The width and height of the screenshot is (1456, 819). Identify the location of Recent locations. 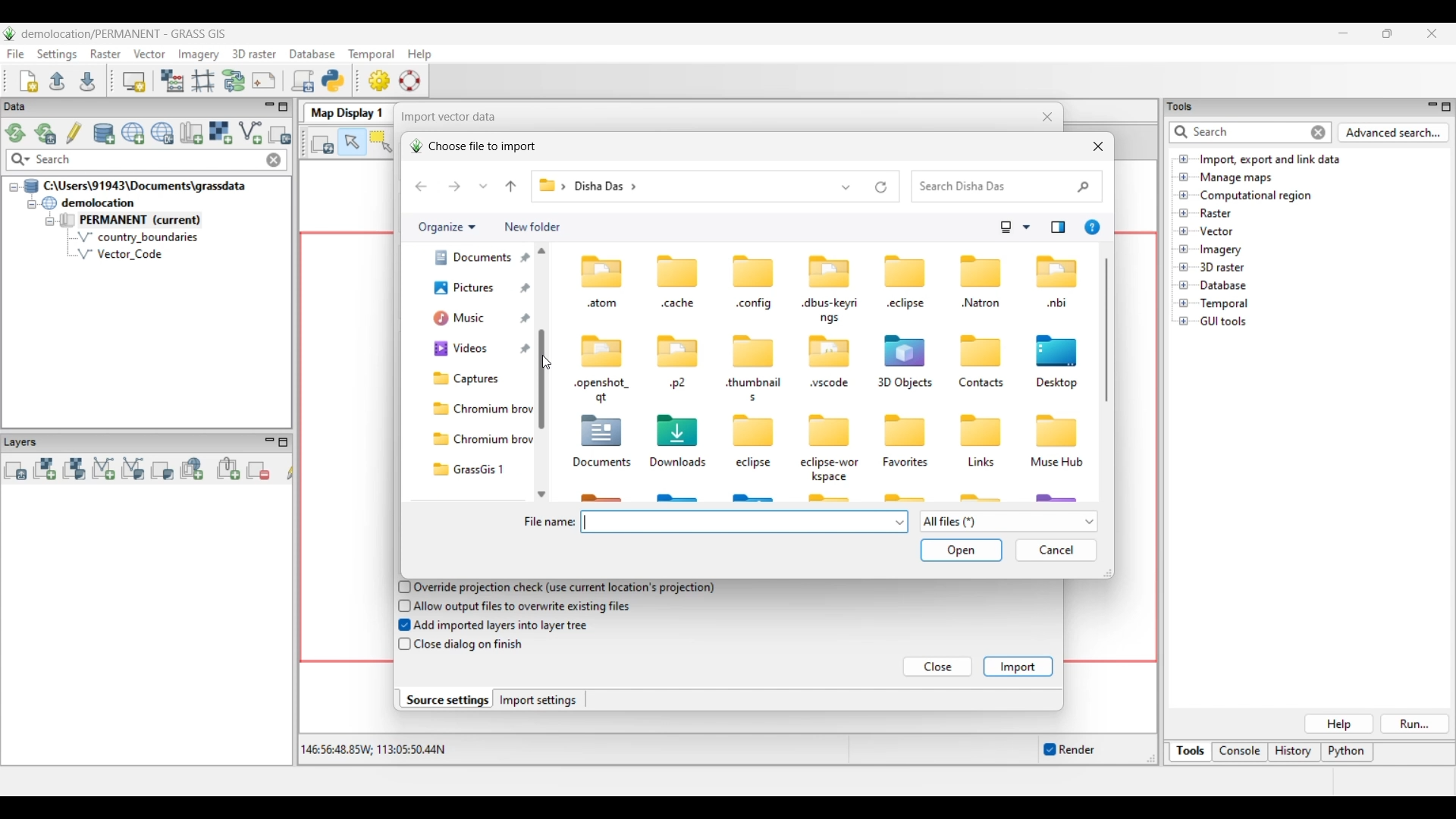
(484, 186).